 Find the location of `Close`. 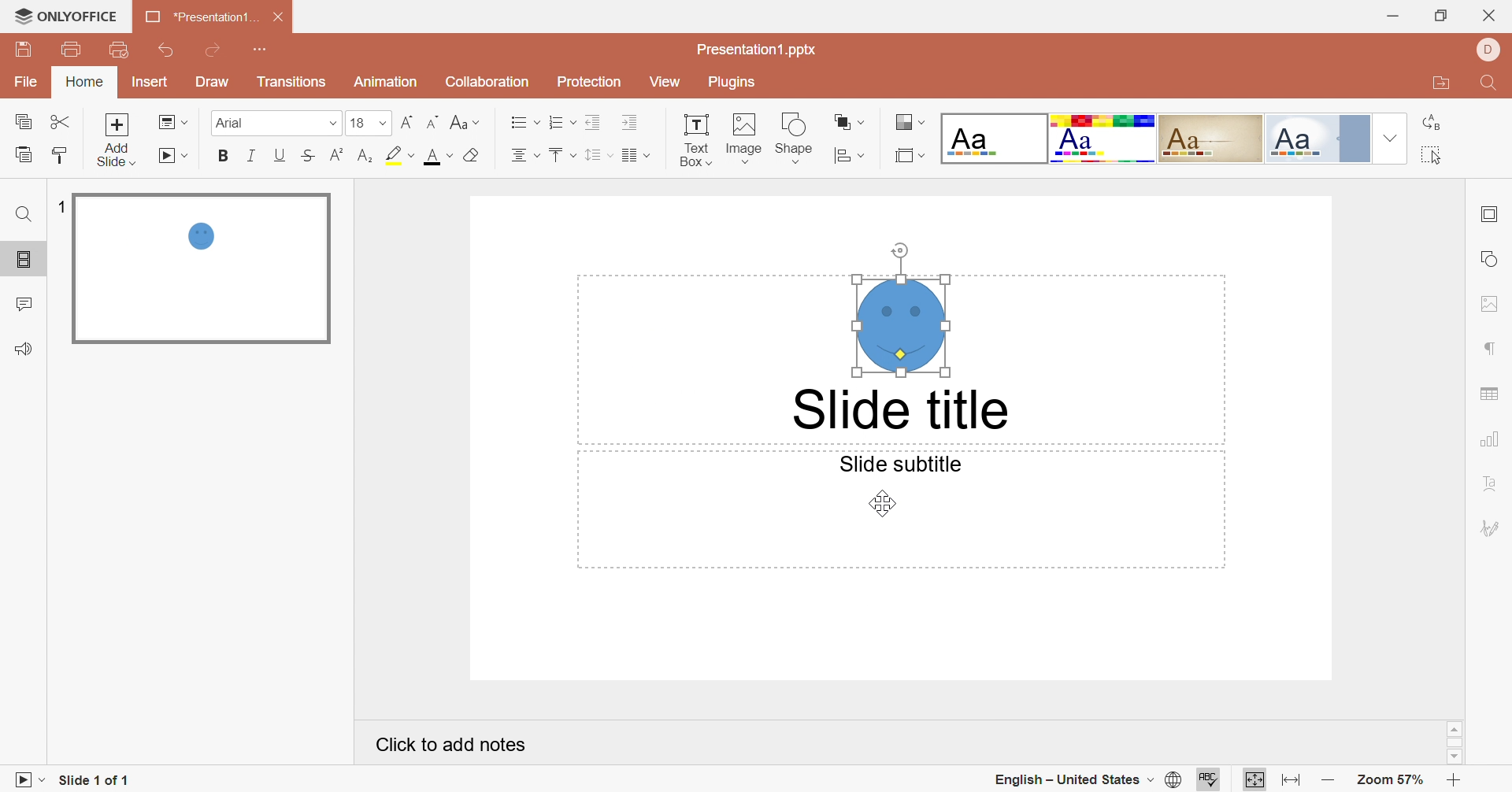

Close is located at coordinates (280, 17).